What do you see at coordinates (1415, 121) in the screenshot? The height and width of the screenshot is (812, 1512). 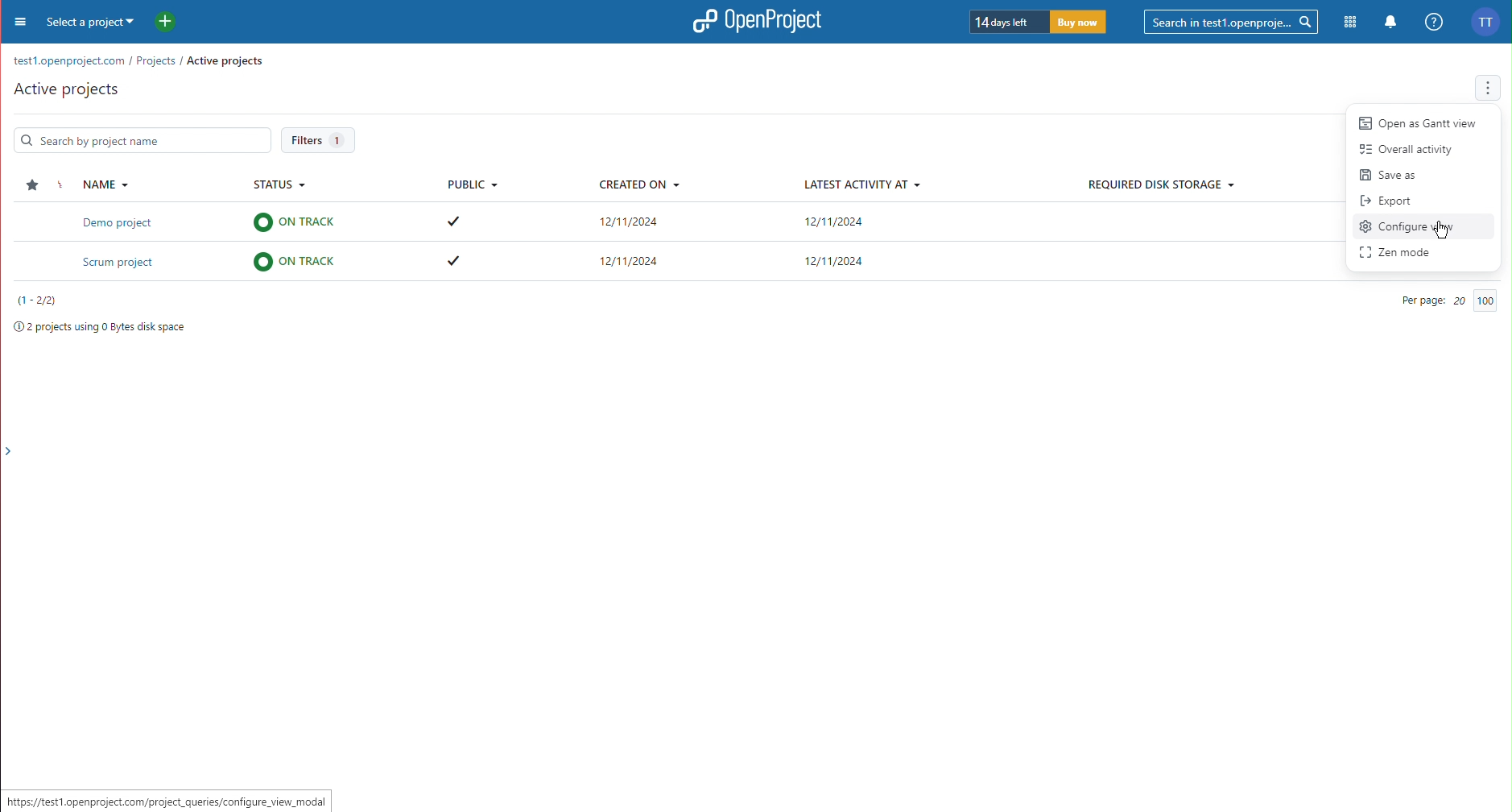 I see `Open as Gantt view` at bounding box center [1415, 121].